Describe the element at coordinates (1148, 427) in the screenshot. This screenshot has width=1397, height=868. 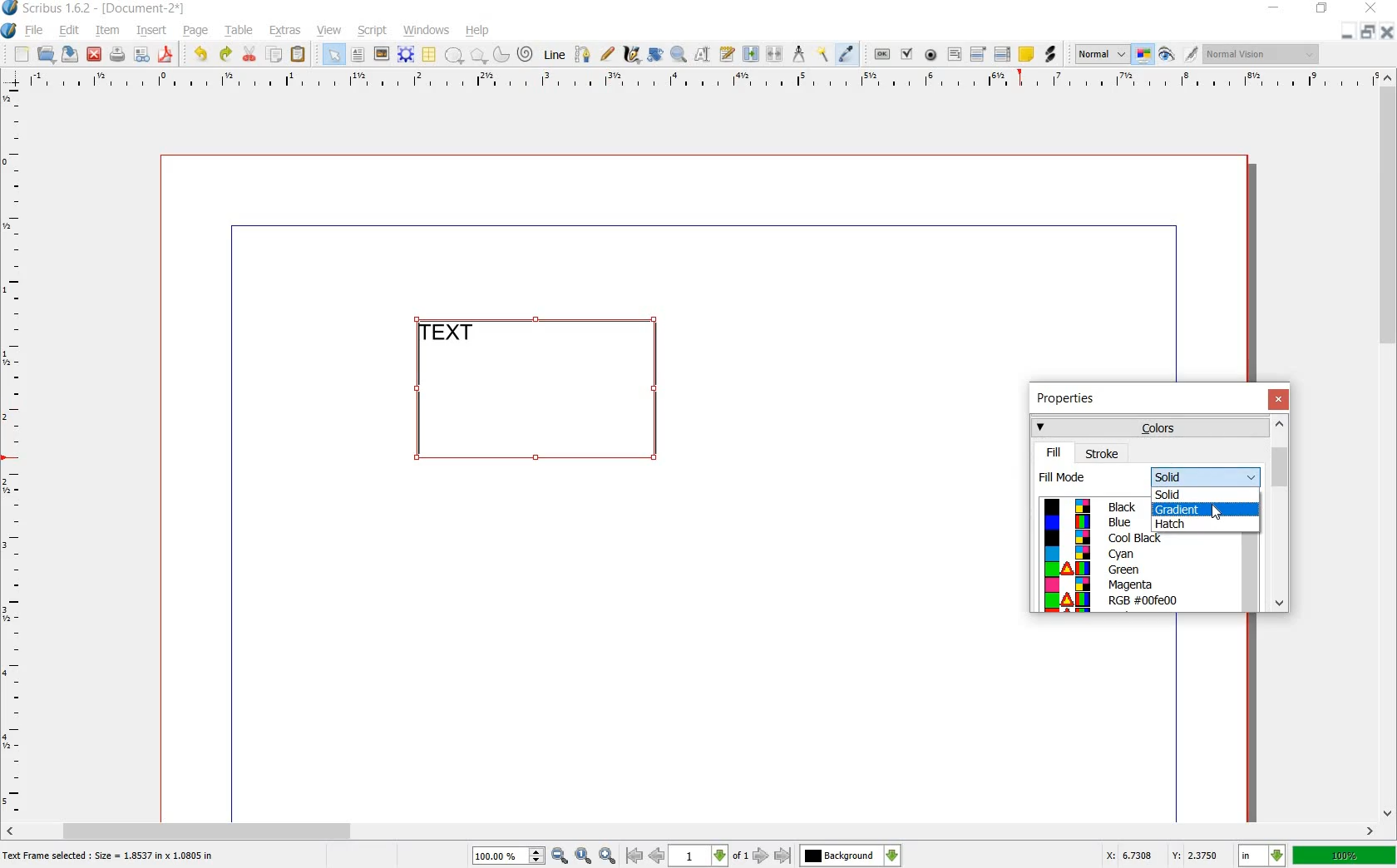
I see `colors` at that location.